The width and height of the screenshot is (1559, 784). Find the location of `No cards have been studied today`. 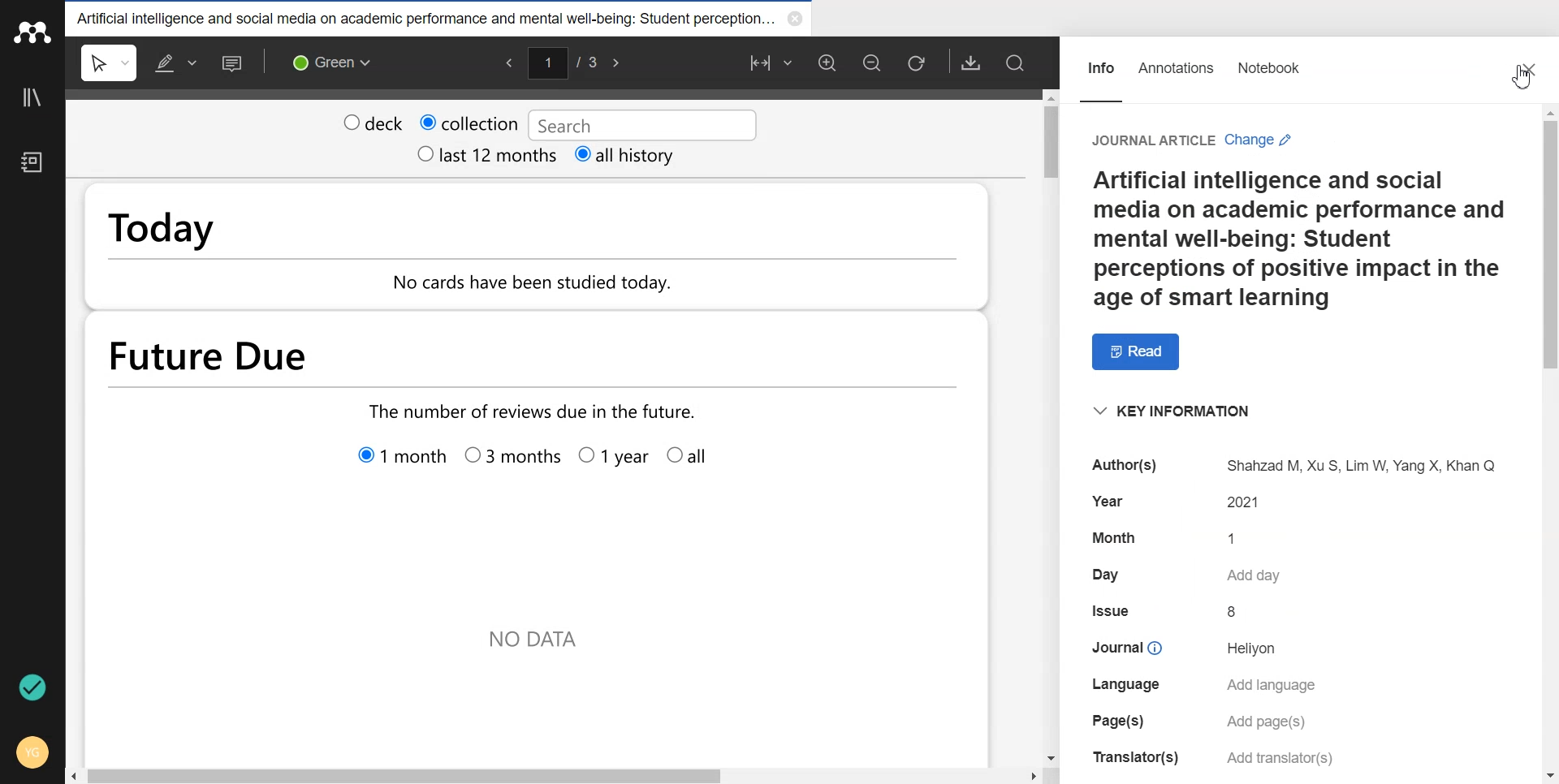

No cards have been studied today is located at coordinates (550, 286).